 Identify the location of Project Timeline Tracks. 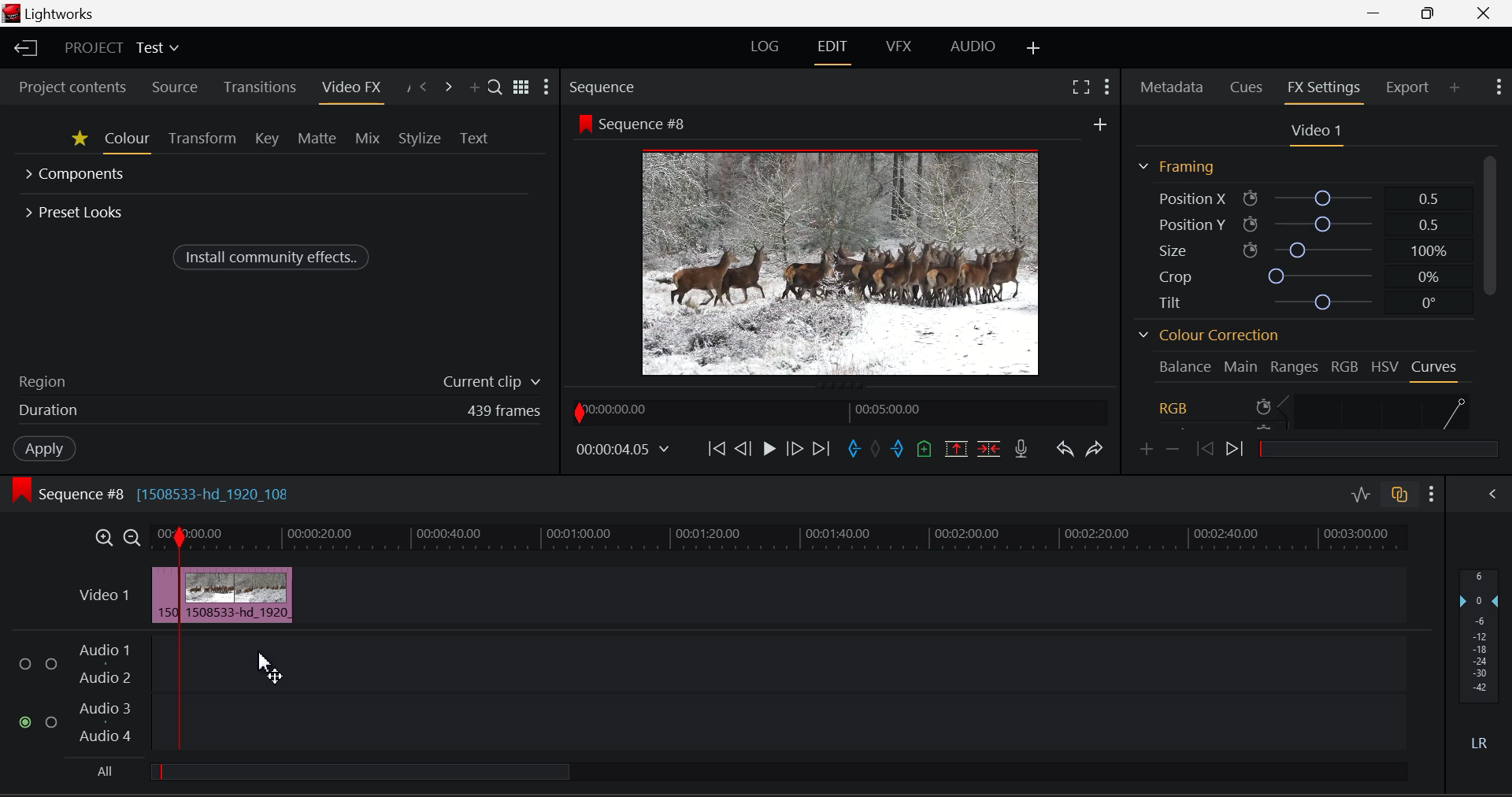
(780, 539).